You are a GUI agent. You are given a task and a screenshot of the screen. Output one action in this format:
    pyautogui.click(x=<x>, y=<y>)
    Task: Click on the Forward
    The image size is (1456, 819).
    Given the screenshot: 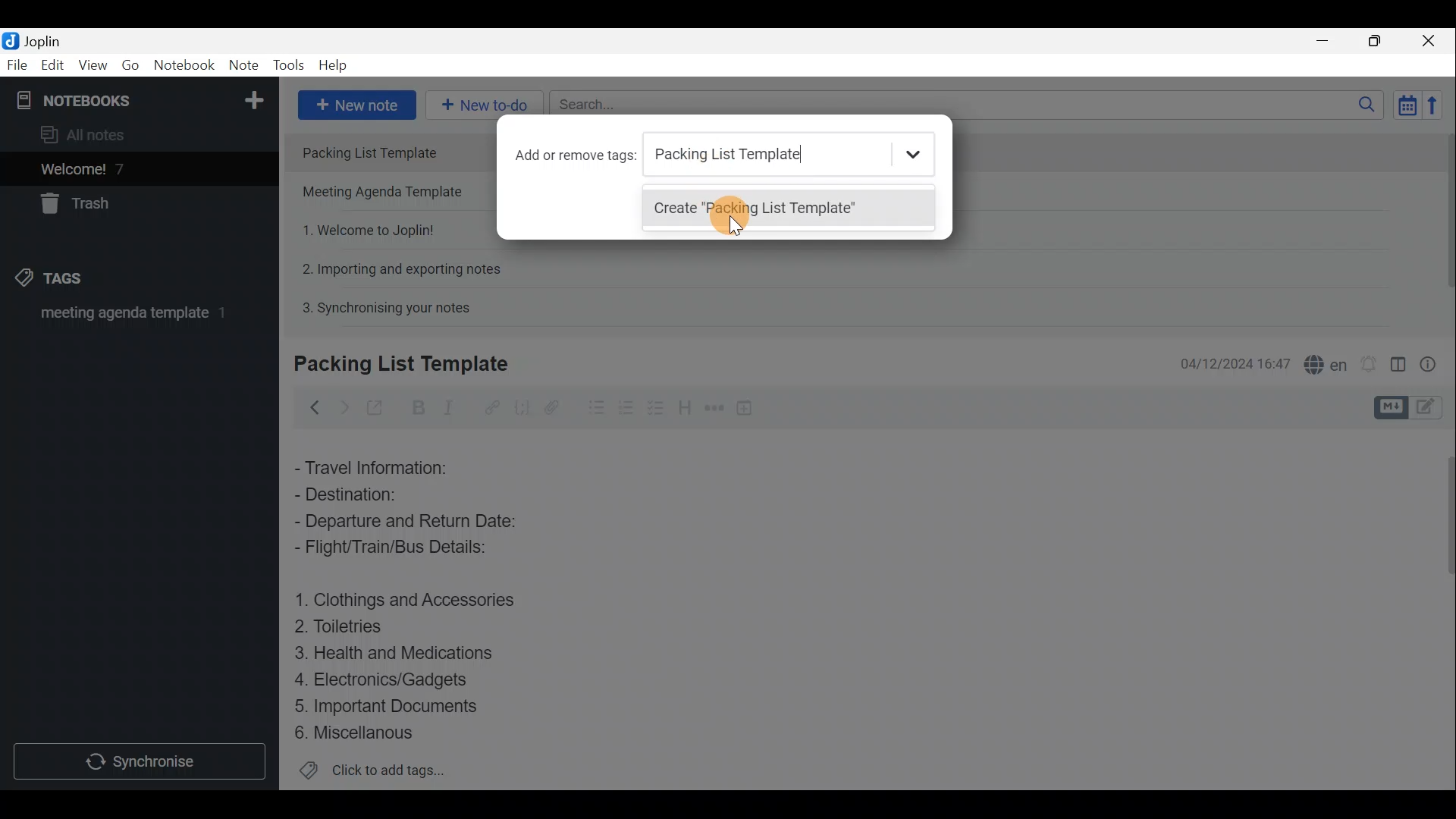 What is the action you would take?
    pyautogui.click(x=341, y=406)
    